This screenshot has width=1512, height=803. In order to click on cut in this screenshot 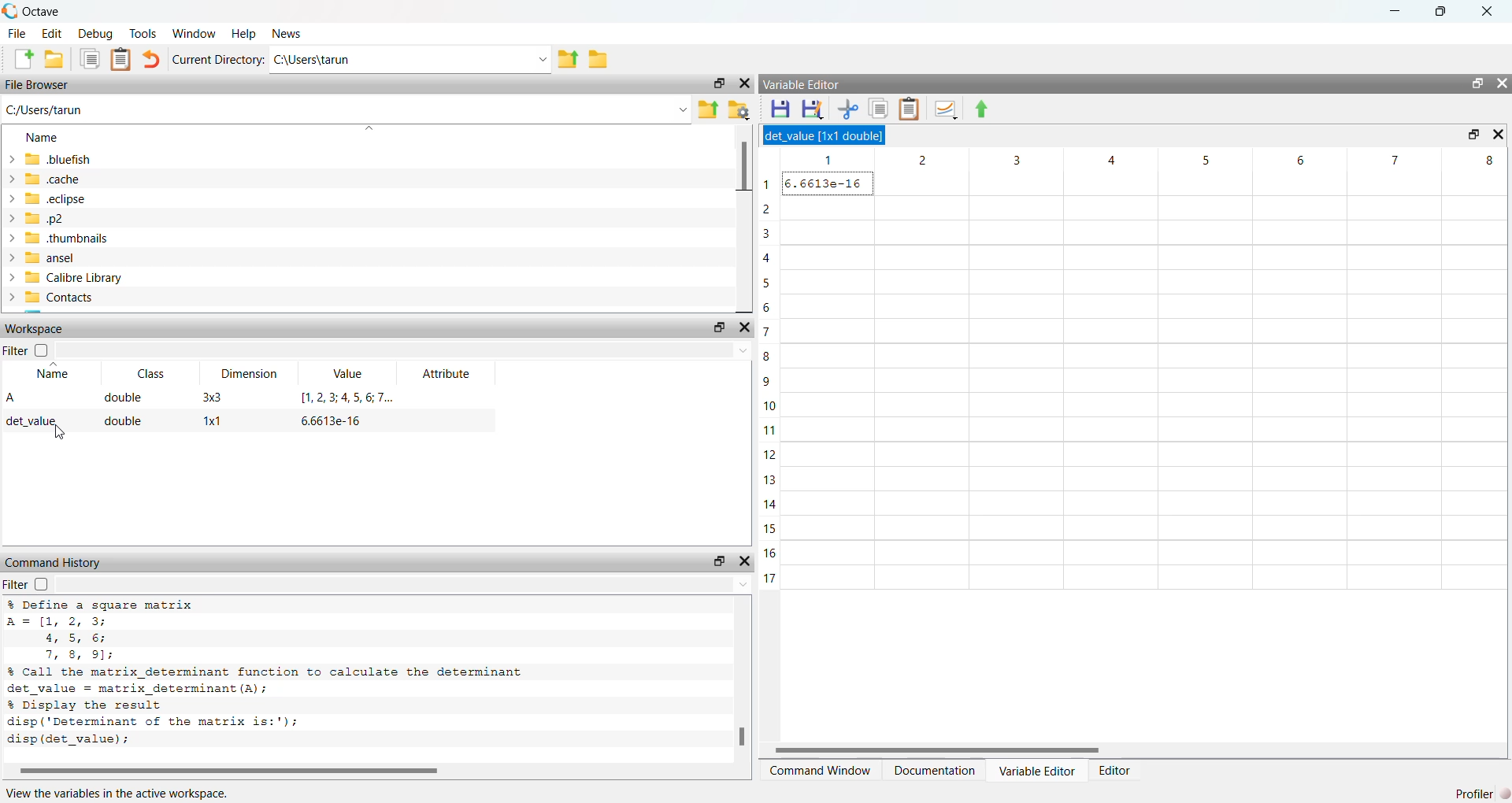, I will do `click(850, 110)`.